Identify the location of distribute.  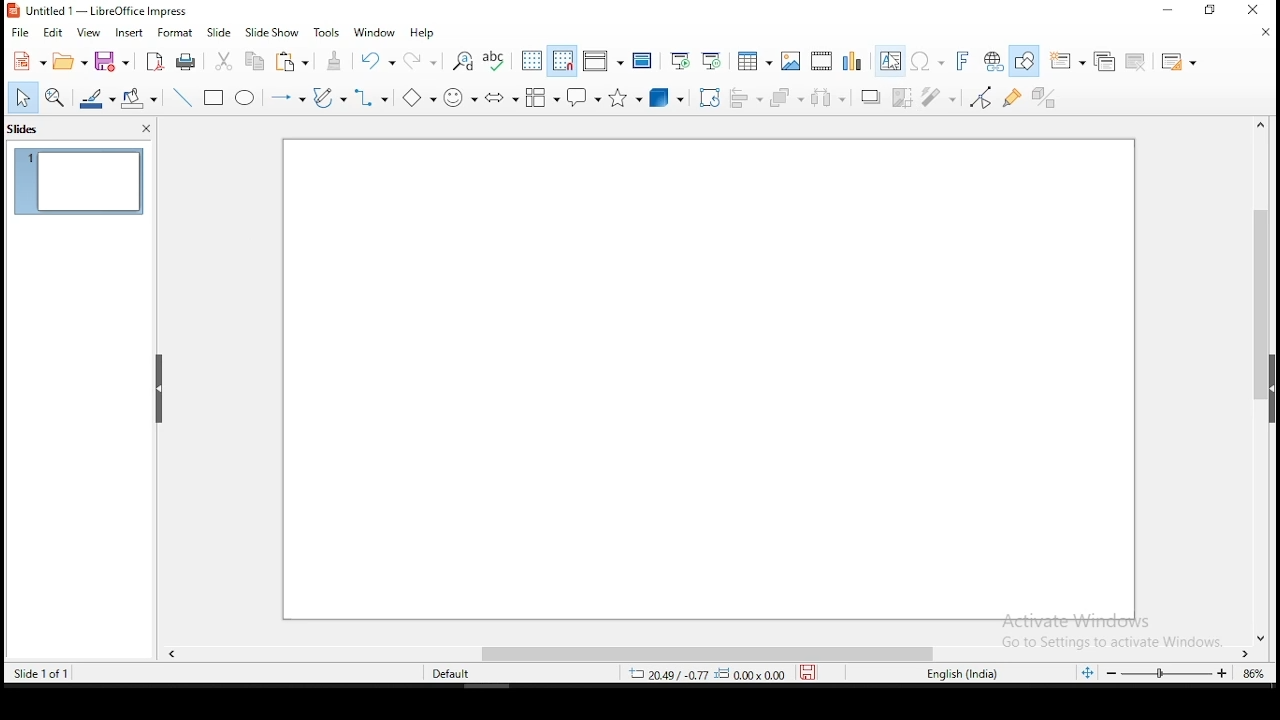
(829, 99).